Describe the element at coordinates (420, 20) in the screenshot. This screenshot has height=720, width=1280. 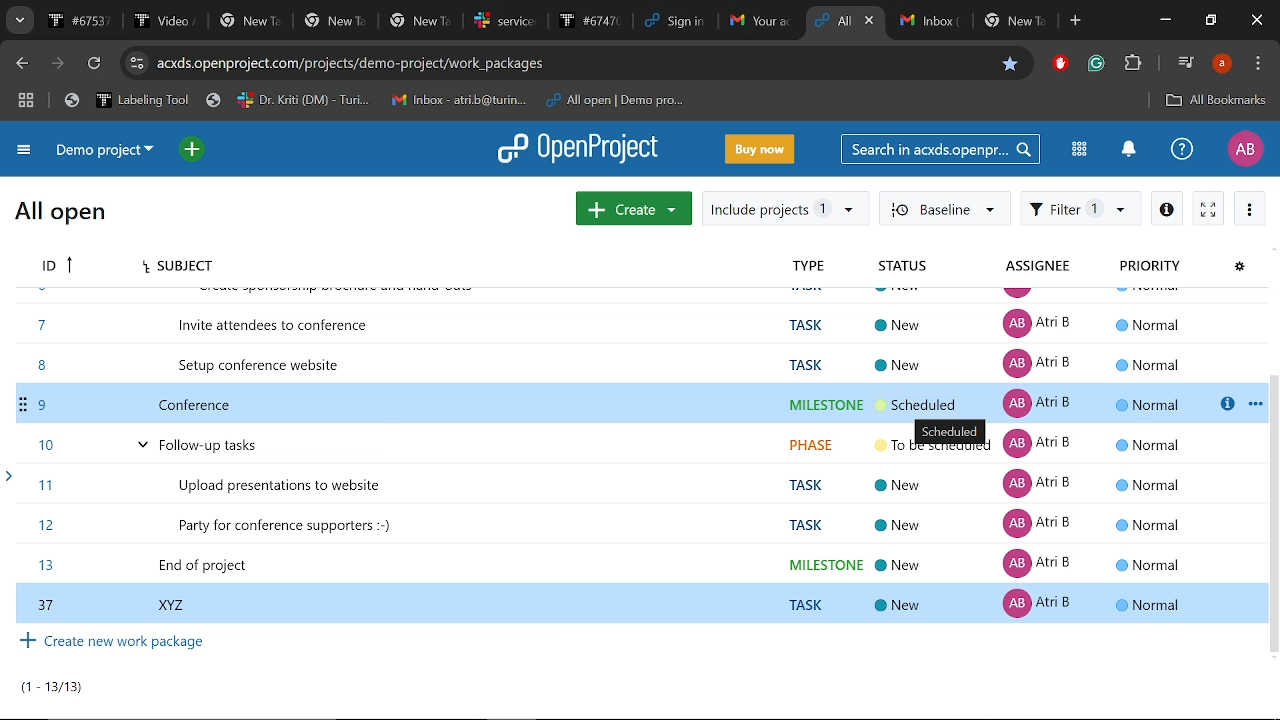
I see `Tabs` at that location.